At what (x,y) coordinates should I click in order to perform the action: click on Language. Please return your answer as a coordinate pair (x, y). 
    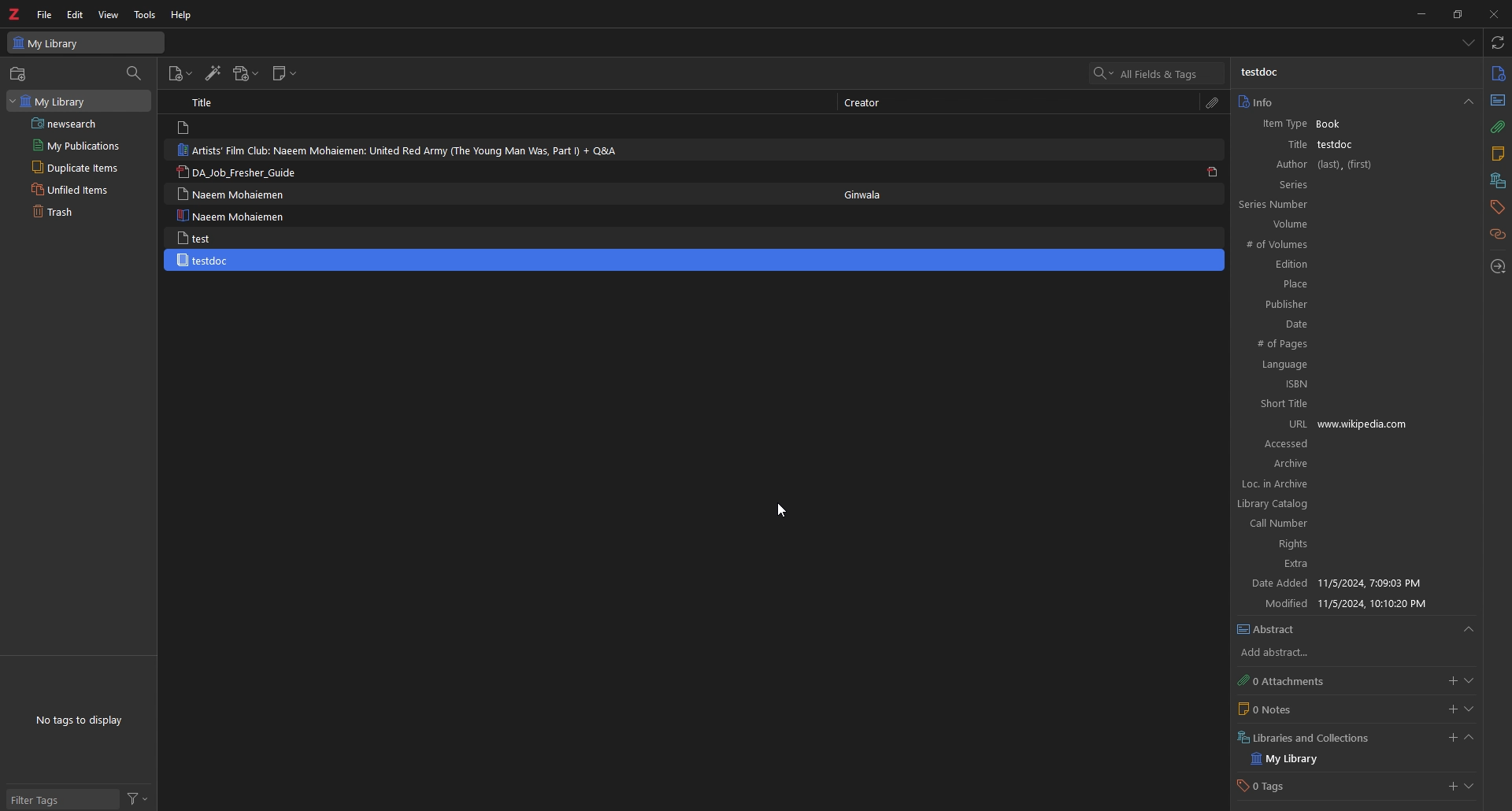
    Looking at the image, I should click on (1336, 365).